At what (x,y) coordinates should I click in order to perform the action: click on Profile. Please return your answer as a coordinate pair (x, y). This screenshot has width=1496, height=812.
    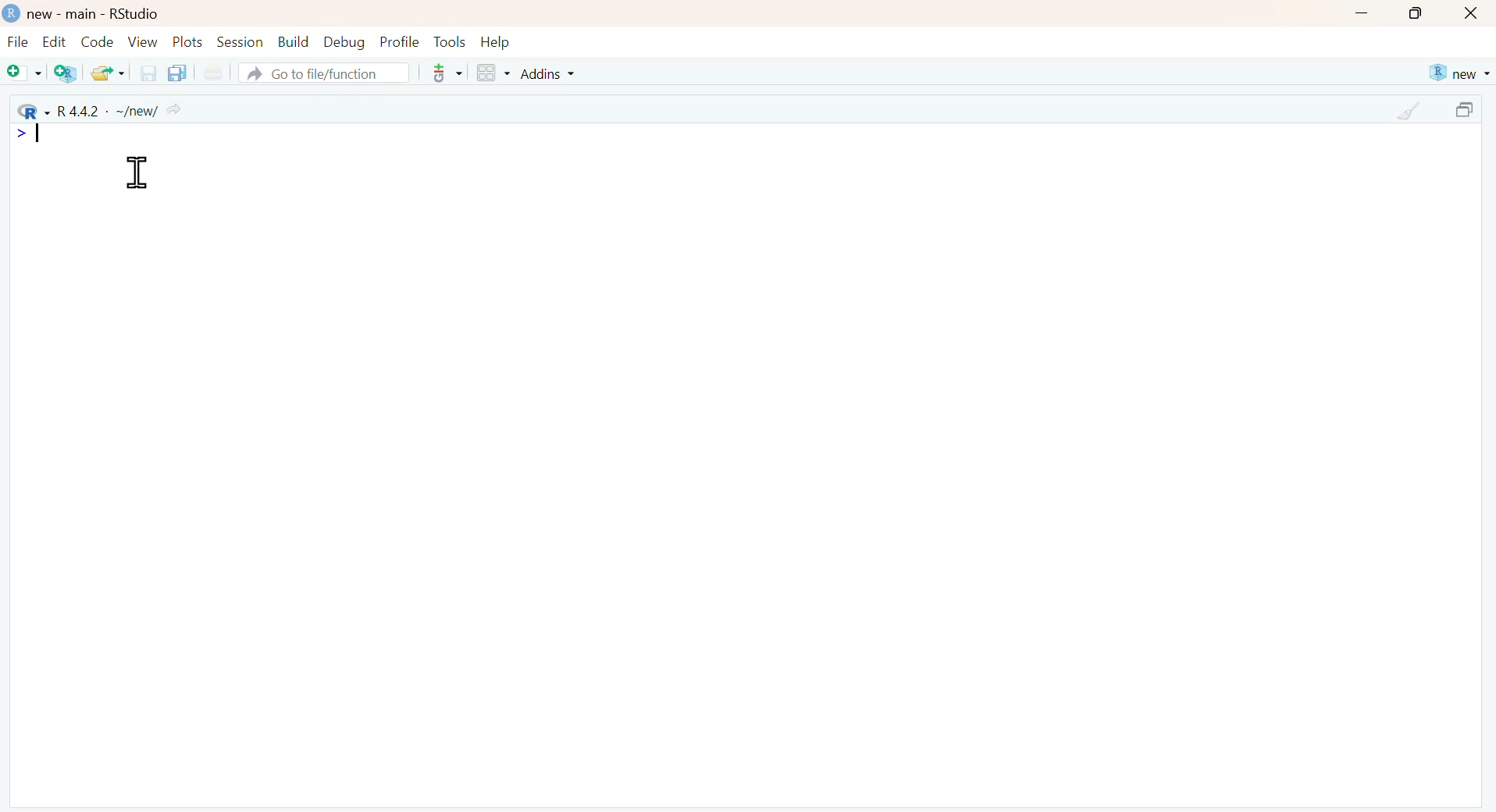
    Looking at the image, I should click on (400, 41).